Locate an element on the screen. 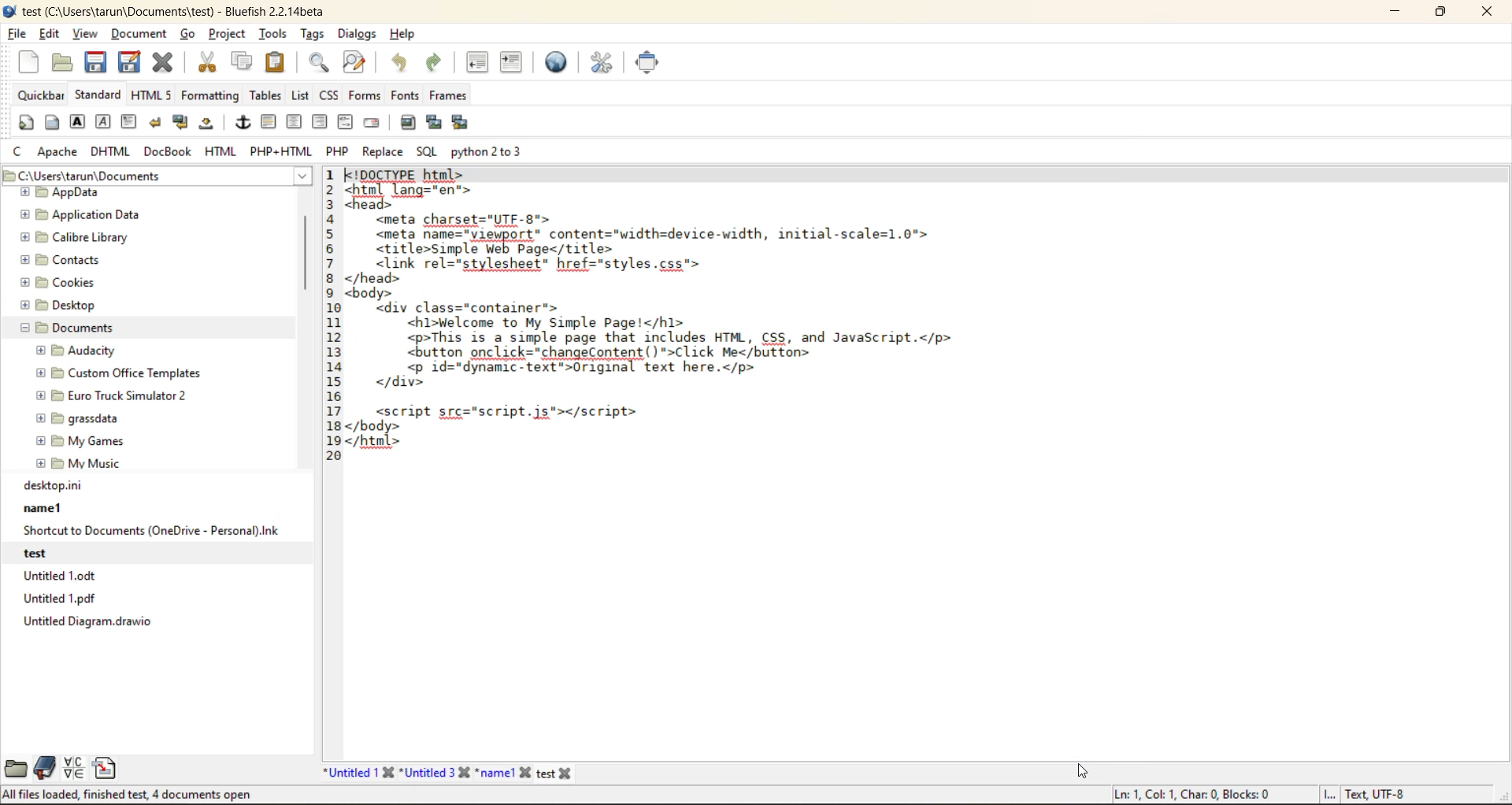 This screenshot has height=805, width=1512. name1 tab is located at coordinates (502, 772).